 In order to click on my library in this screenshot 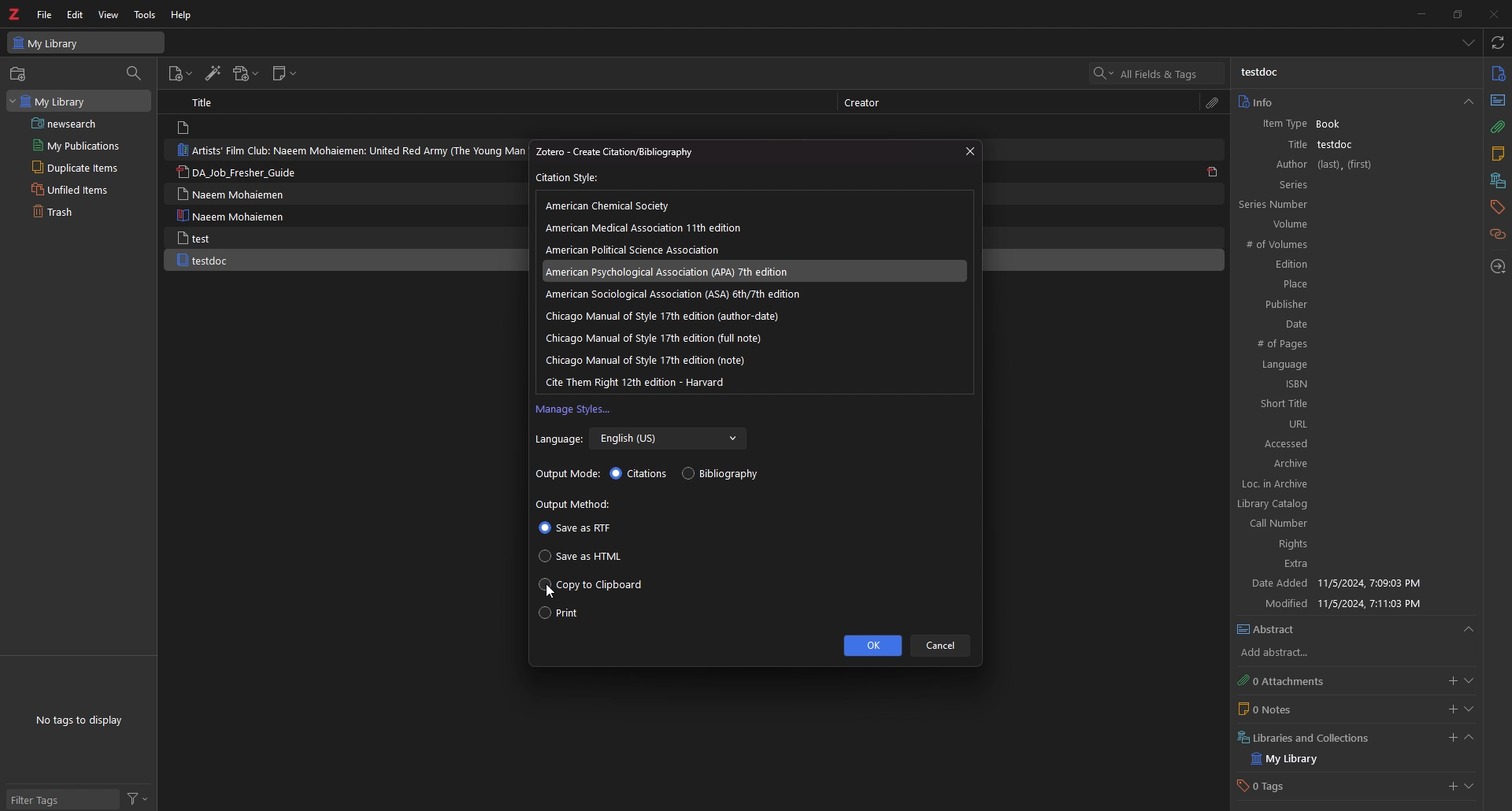, I will do `click(77, 100)`.